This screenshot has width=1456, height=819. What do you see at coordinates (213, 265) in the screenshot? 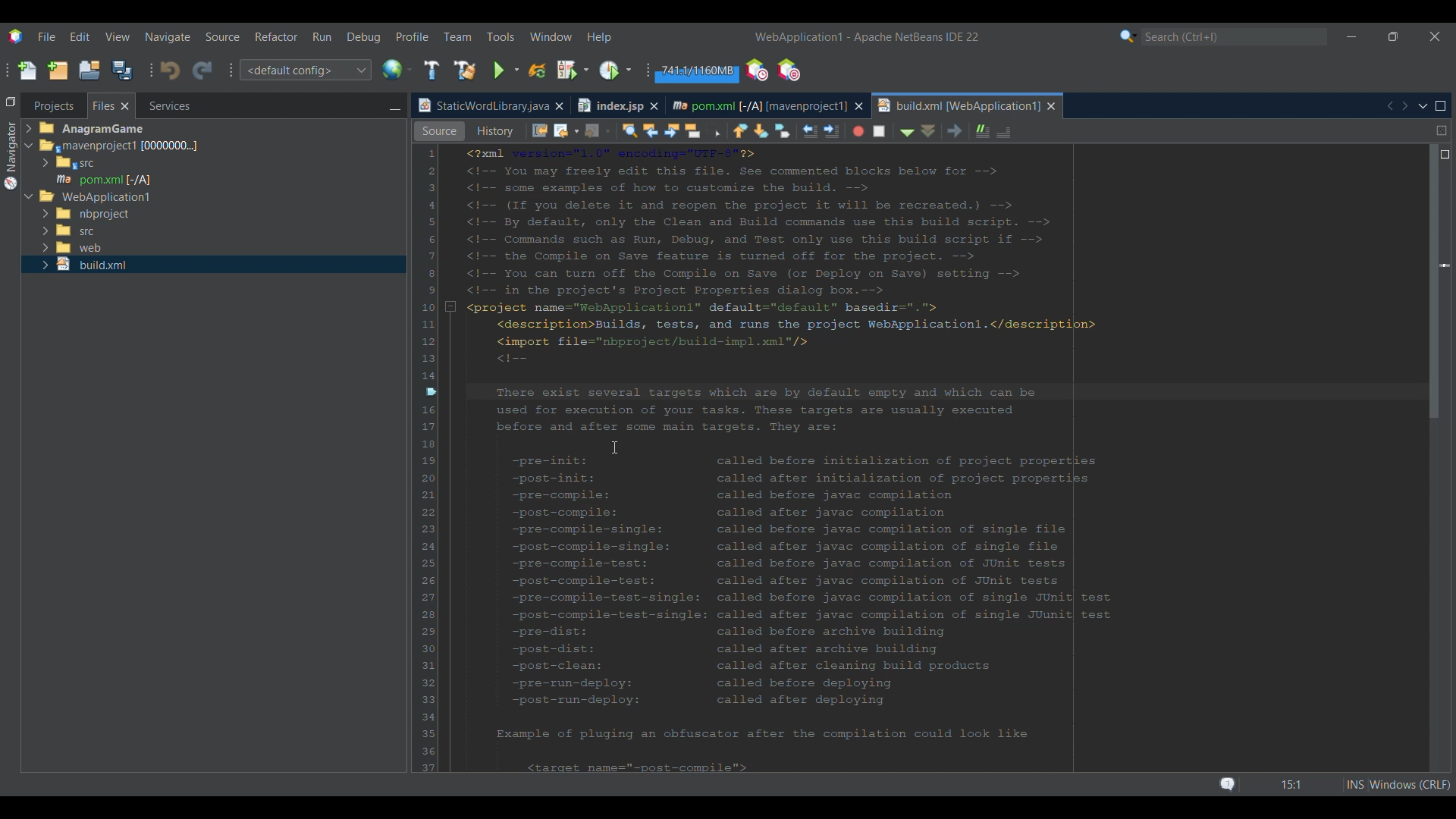
I see `Selected file highlighted` at bounding box center [213, 265].